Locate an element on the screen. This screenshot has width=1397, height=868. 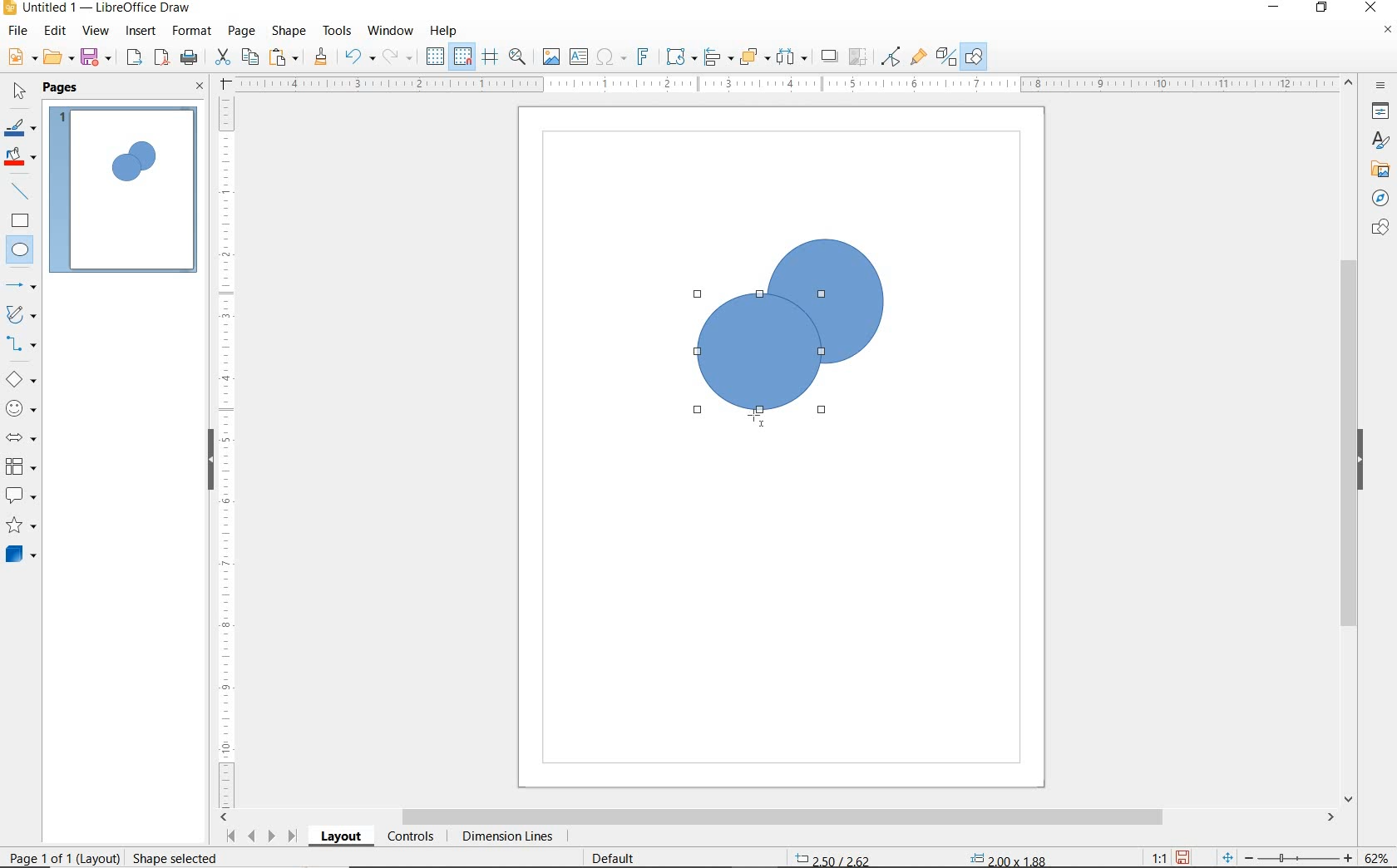
SELECT AT LEAST 3 OBJECTS TO DISTRIBUTE is located at coordinates (792, 56).